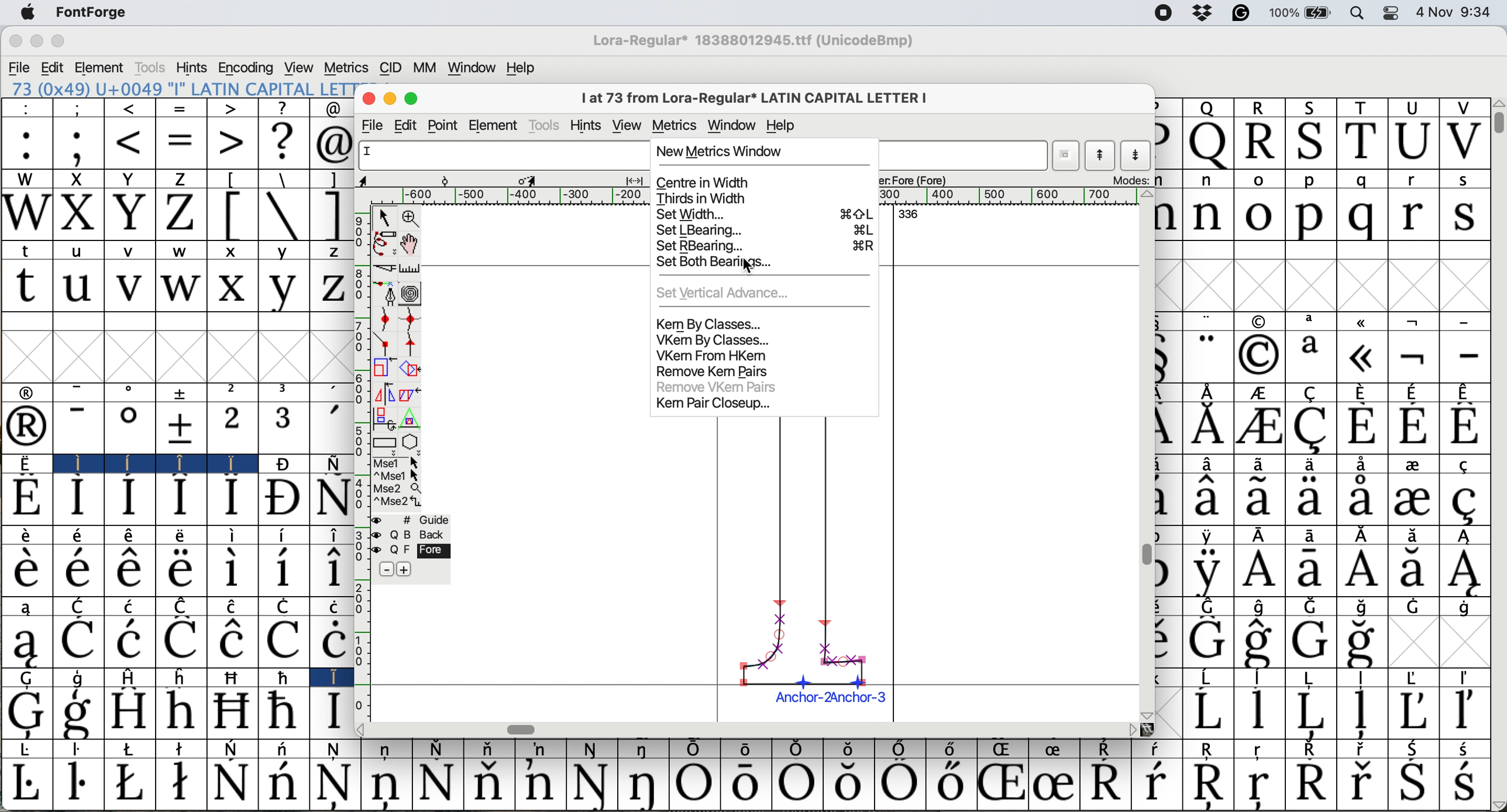 The width and height of the screenshot is (1507, 812). What do you see at coordinates (1467, 318) in the screenshot?
I see `-` at bounding box center [1467, 318].